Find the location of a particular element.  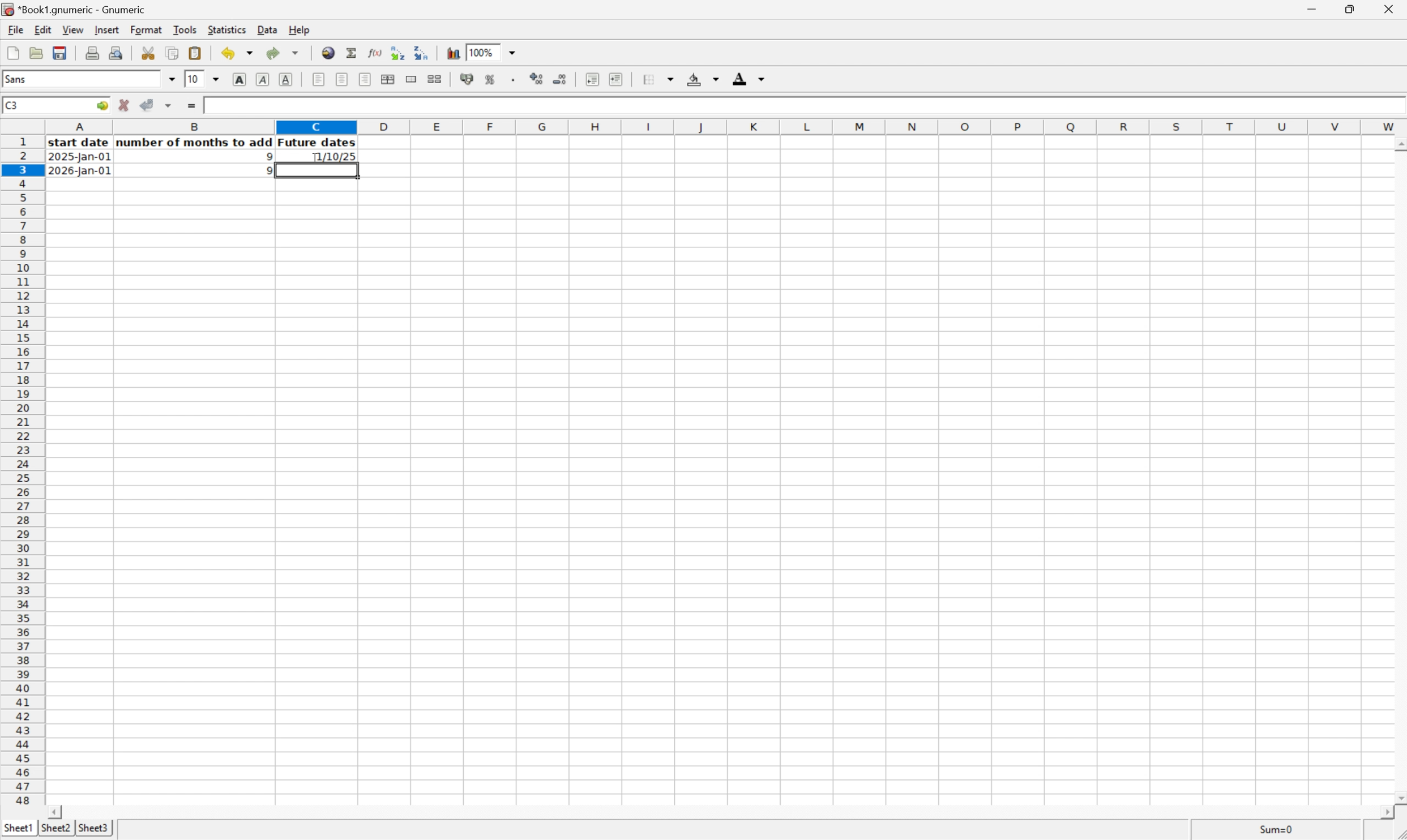

Help is located at coordinates (299, 29).